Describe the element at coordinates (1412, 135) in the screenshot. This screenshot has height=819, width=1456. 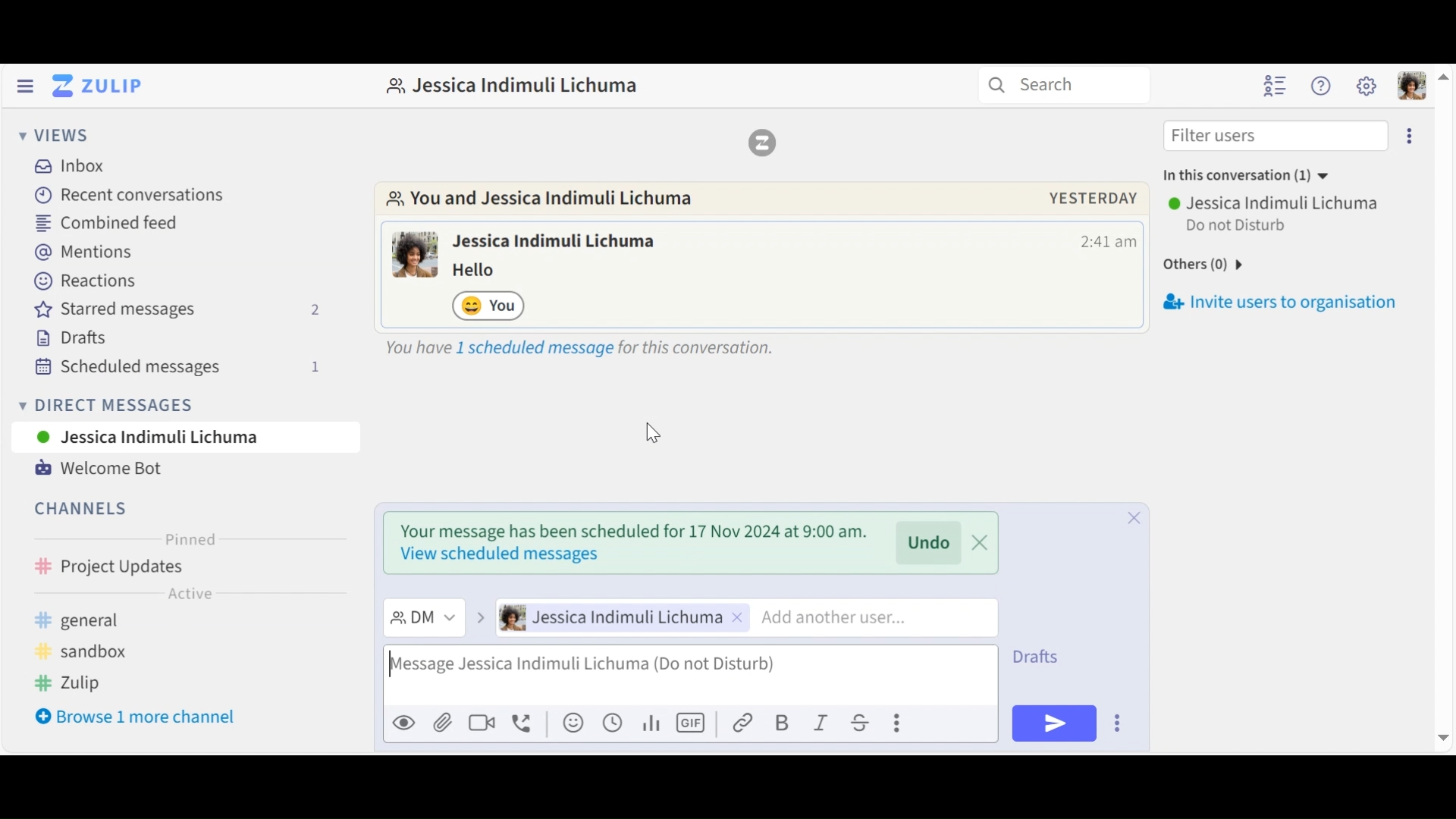
I see `eclipse` at that location.